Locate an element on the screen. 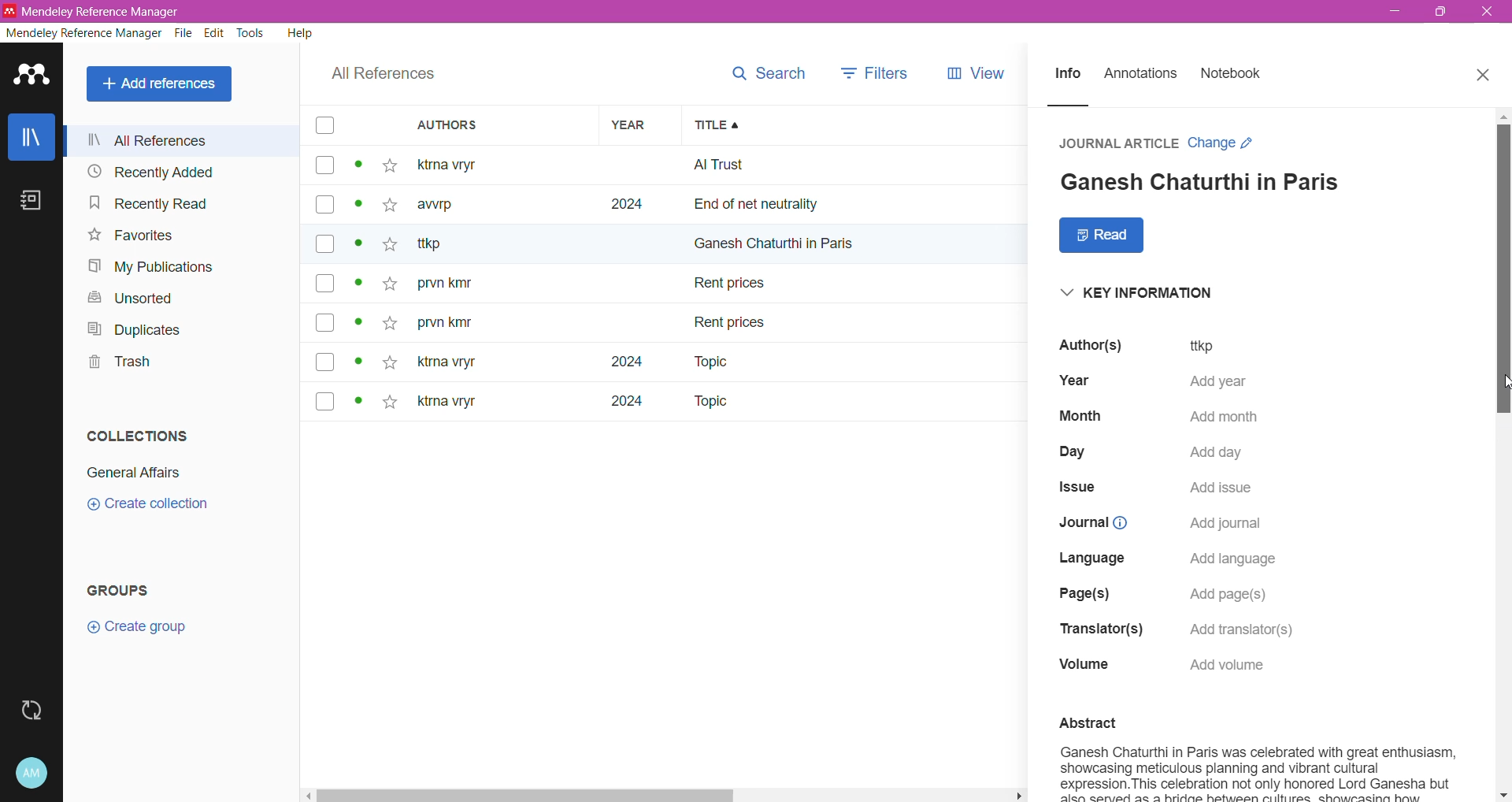  Tools is located at coordinates (251, 34).